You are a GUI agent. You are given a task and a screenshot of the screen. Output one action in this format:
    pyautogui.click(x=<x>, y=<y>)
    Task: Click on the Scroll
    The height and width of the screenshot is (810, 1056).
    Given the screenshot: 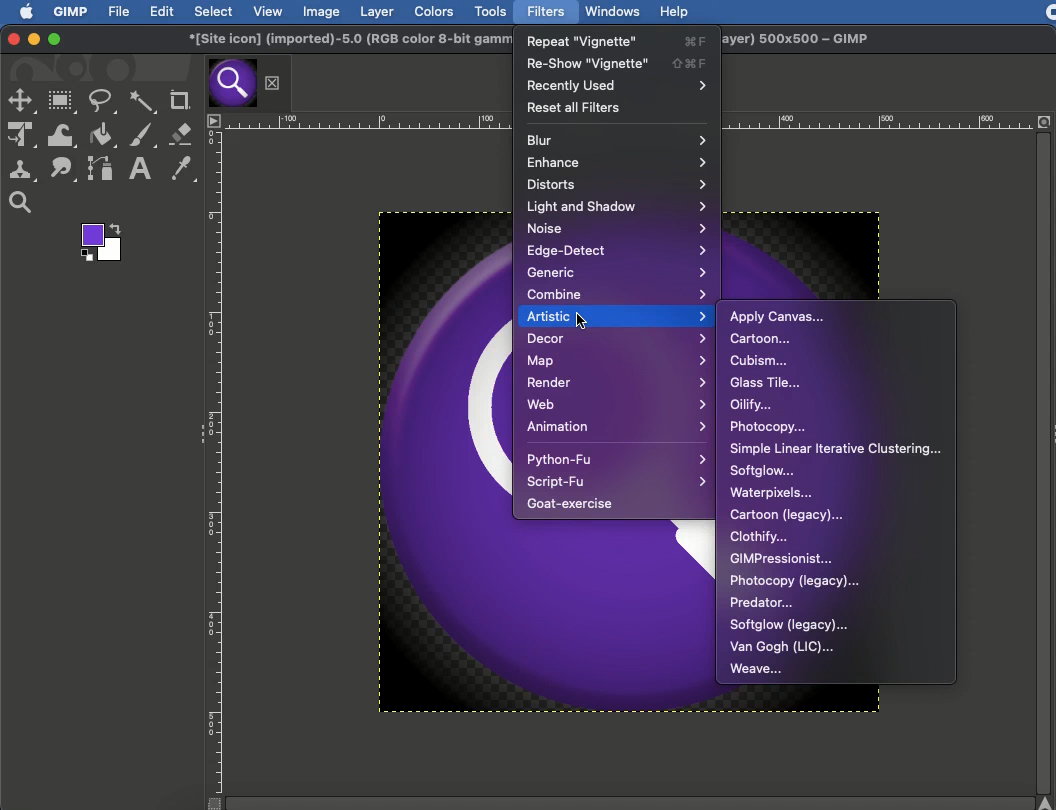 What is the action you would take?
    pyautogui.click(x=1047, y=472)
    